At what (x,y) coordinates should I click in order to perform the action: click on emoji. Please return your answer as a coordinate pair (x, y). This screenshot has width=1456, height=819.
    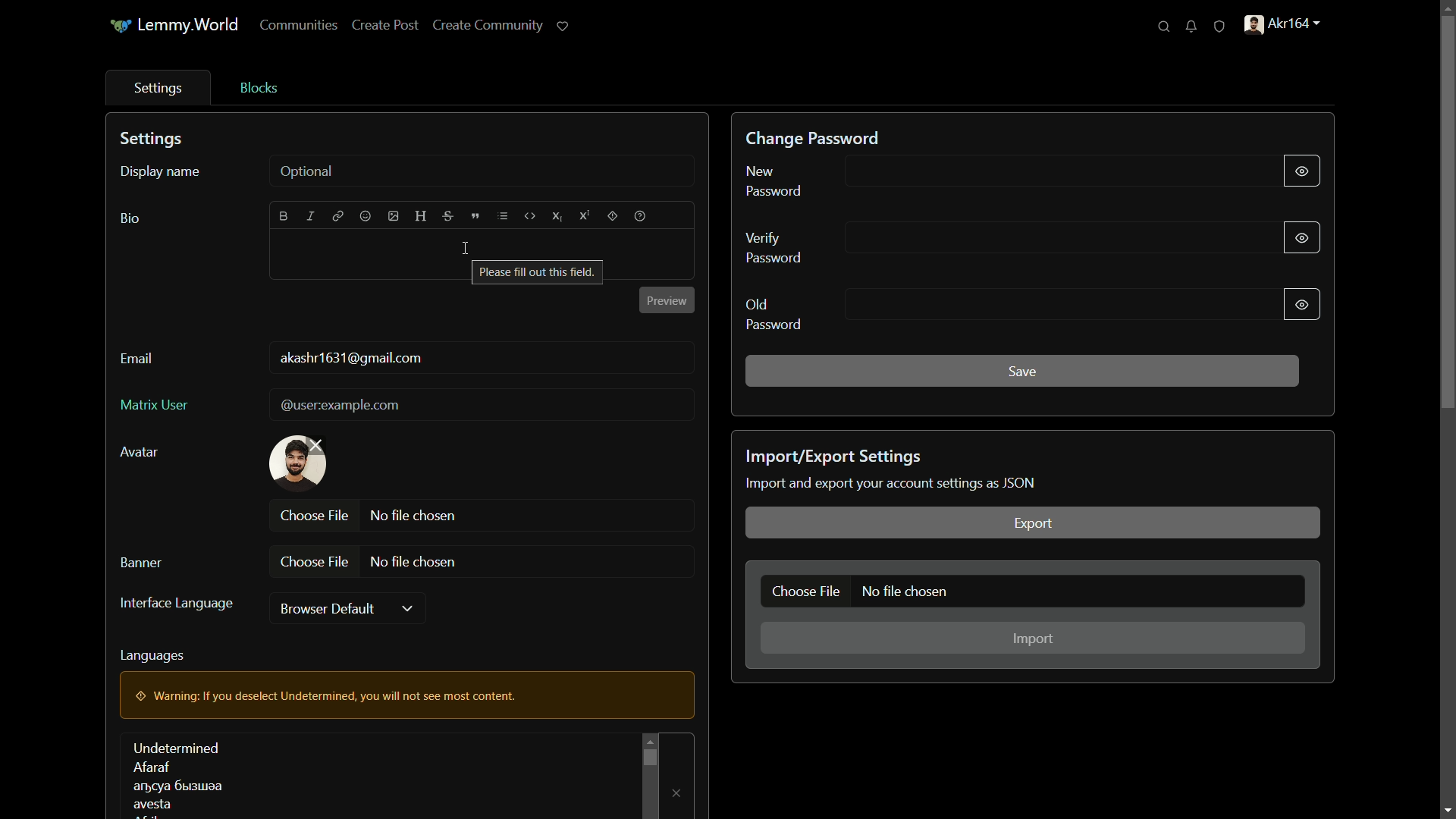
    Looking at the image, I should click on (366, 215).